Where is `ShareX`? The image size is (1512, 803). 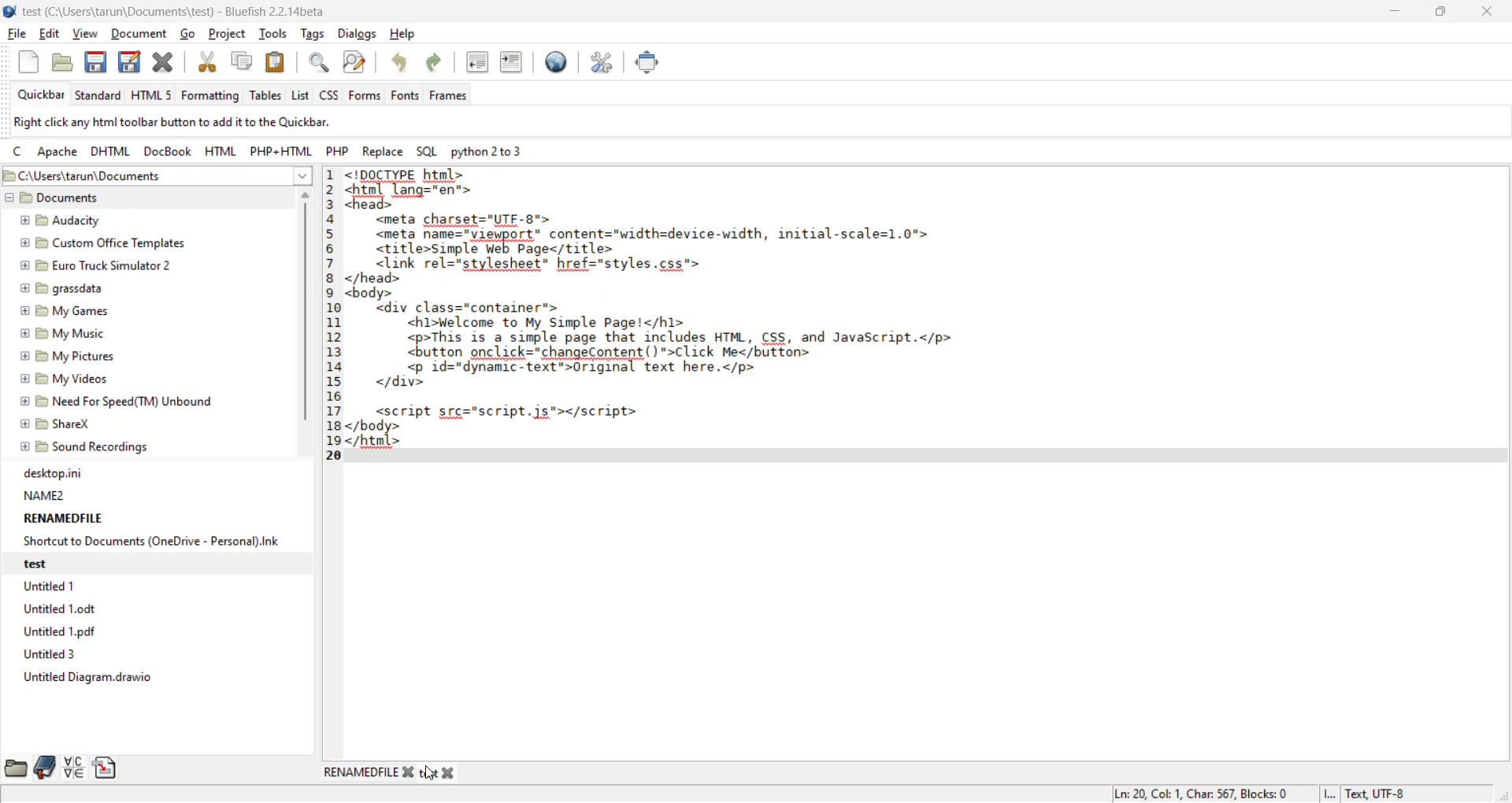
ShareX is located at coordinates (63, 422).